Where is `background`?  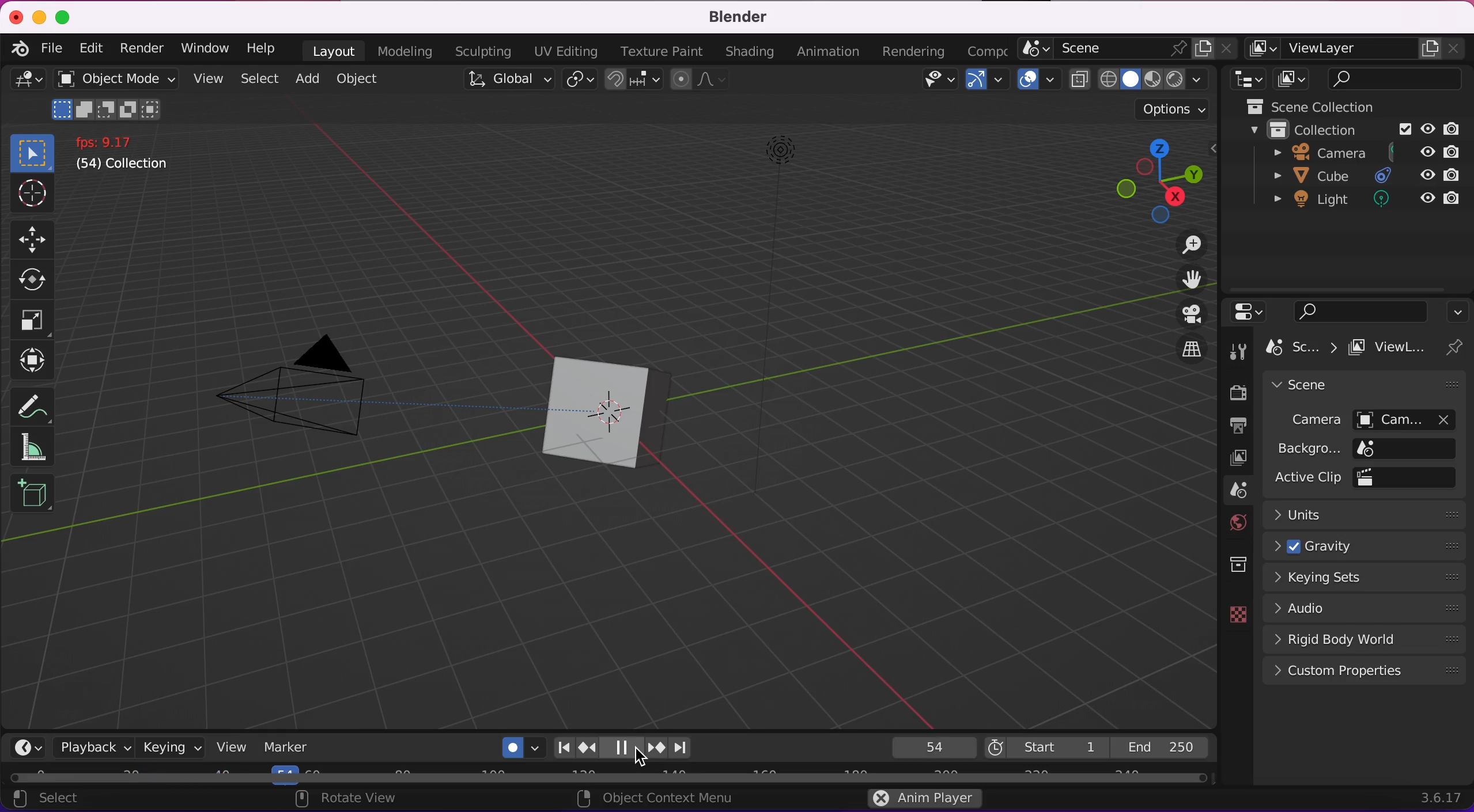 background is located at coordinates (1363, 449).